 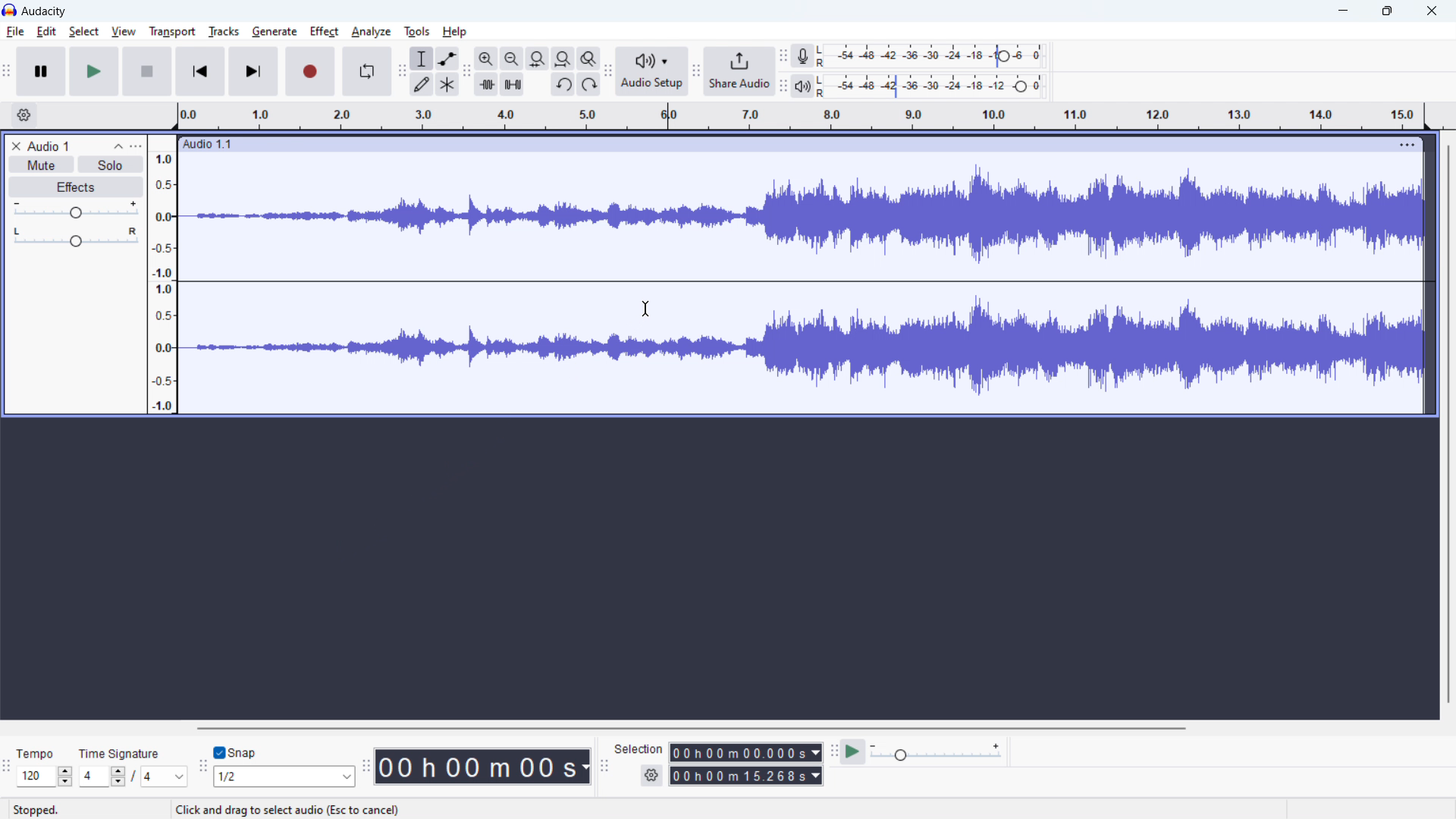 I want to click on stop, so click(x=147, y=71).